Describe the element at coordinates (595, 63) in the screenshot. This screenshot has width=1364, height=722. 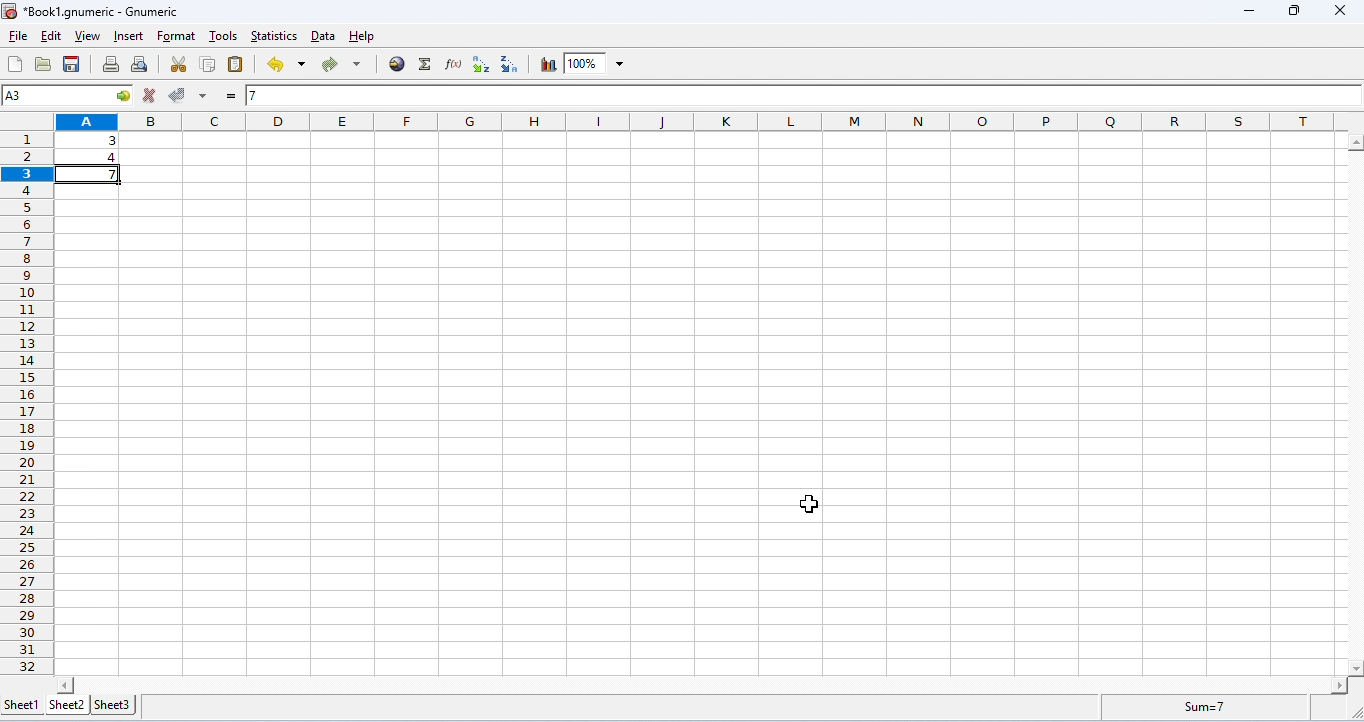
I see `zoom` at that location.